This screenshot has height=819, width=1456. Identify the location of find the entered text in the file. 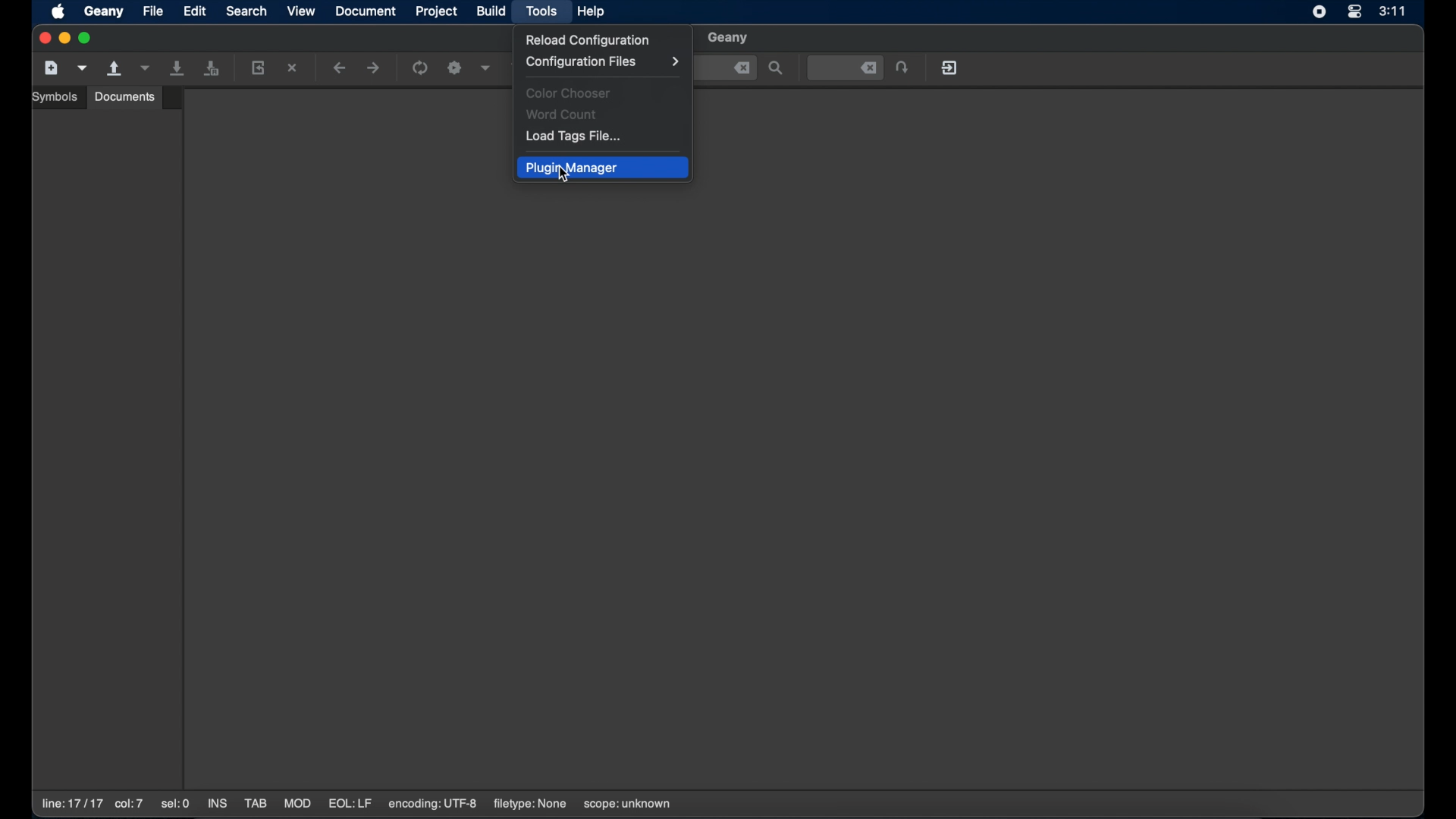
(777, 69).